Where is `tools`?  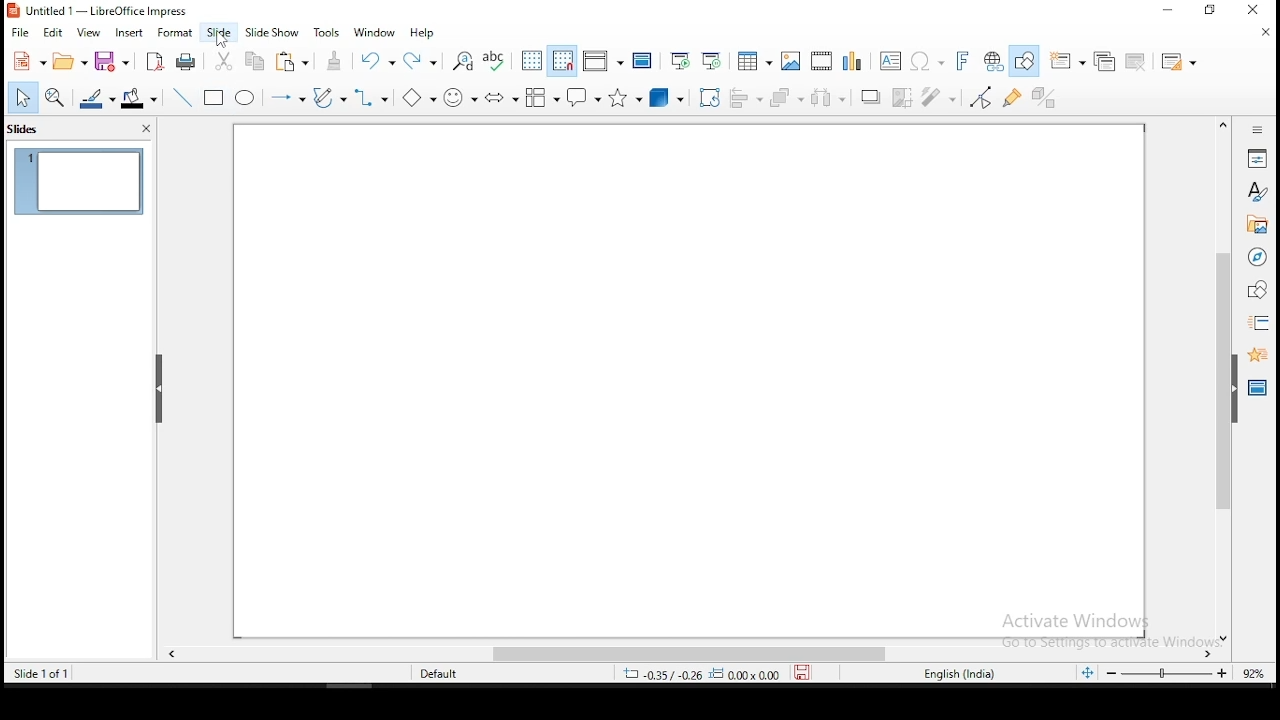 tools is located at coordinates (329, 32).